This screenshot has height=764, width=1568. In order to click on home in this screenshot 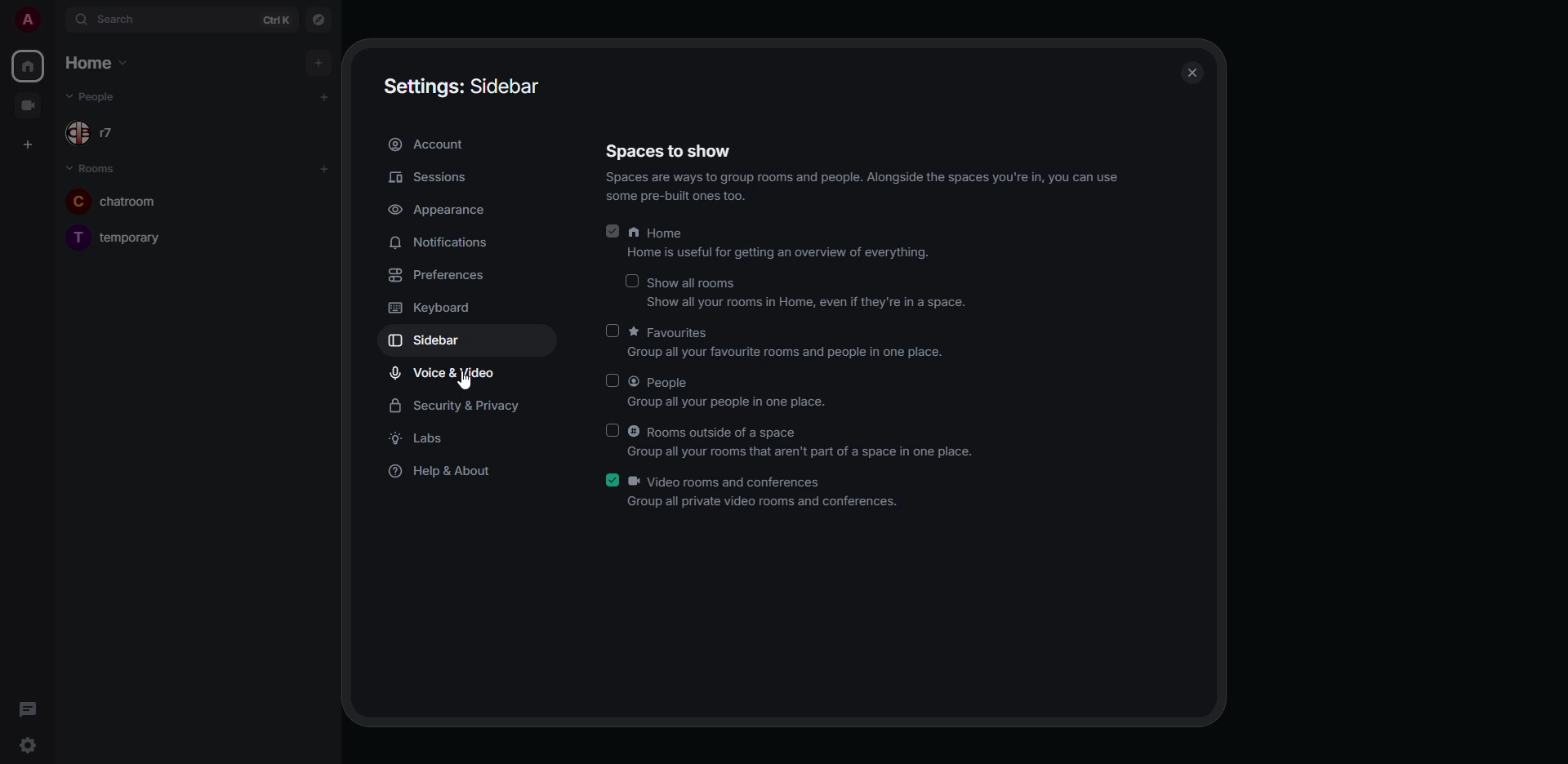, I will do `click(781, 245)`.